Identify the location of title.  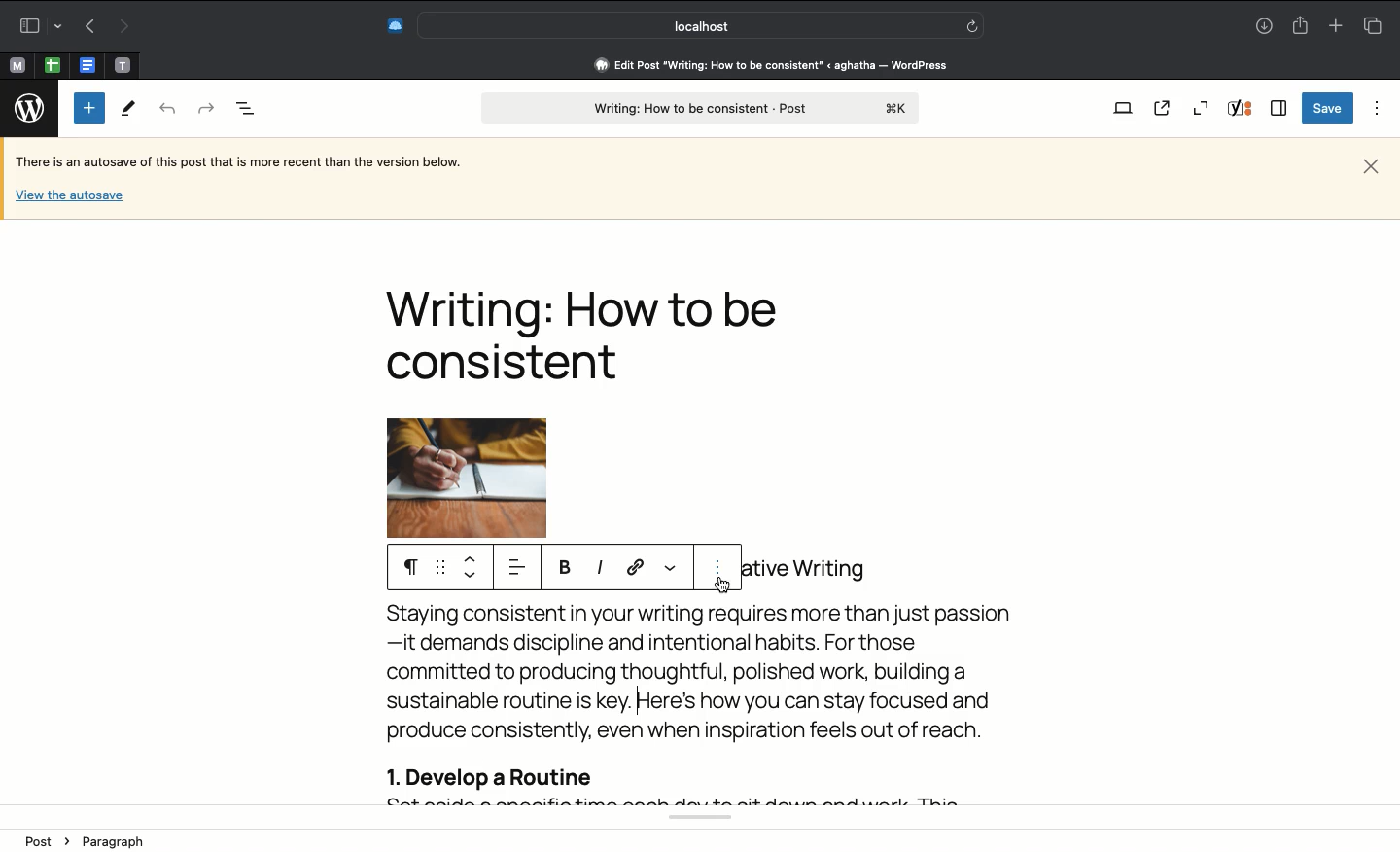
(813, 566).